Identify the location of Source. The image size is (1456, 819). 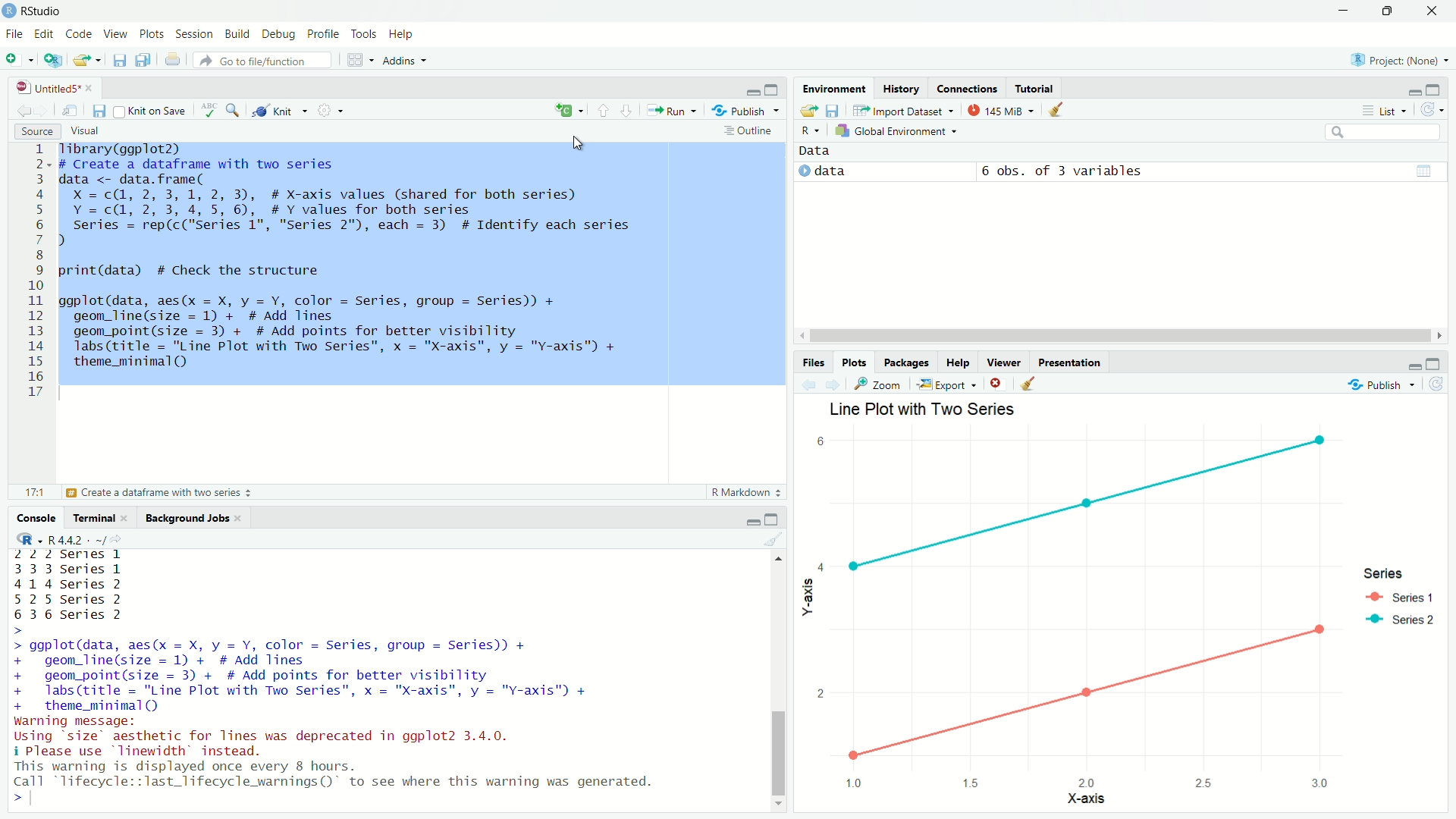
(36, 132).